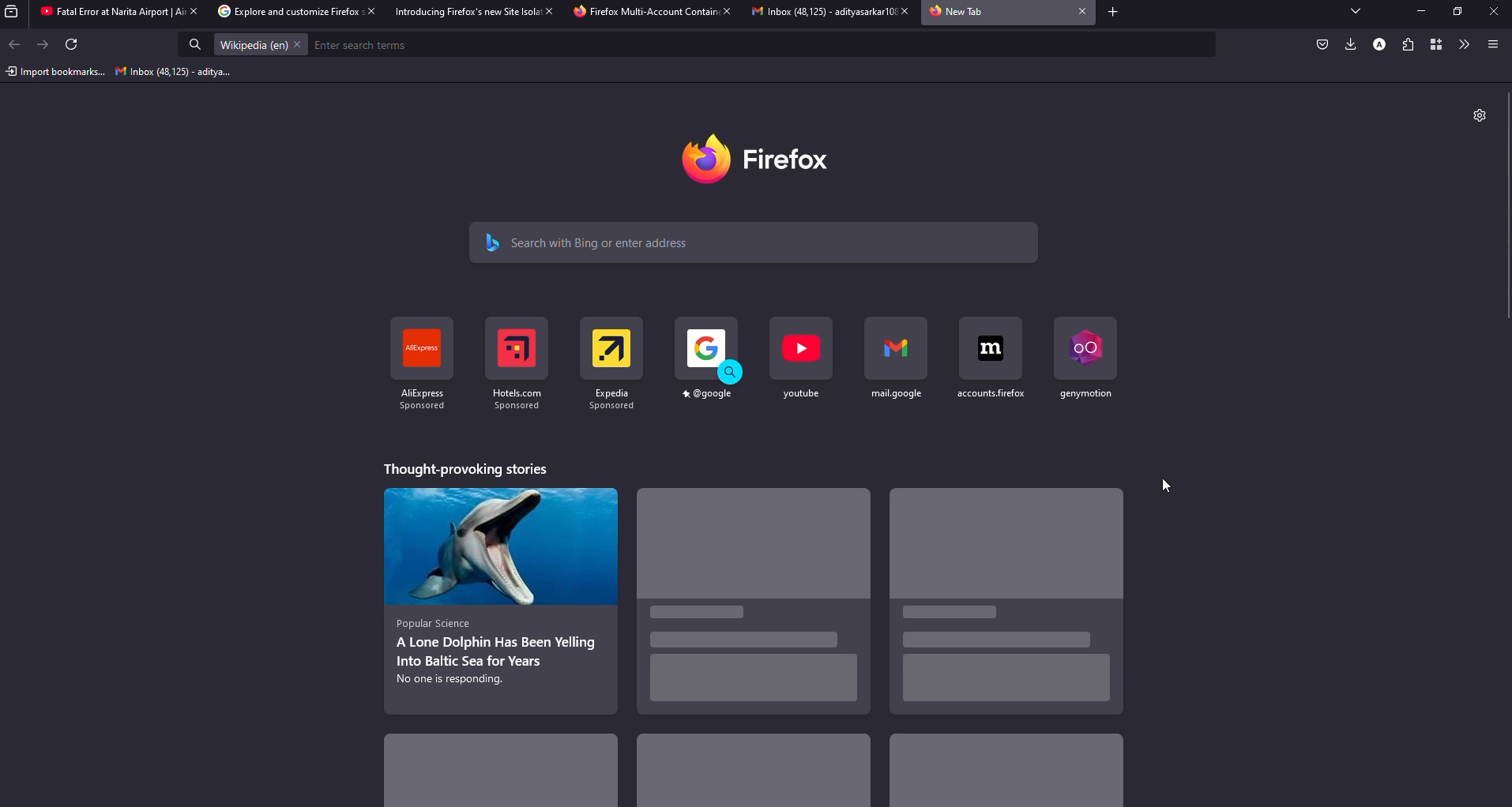 Image resolution: width=1512 pixels, height=807 pixels. What do you see at coordinates (17, 44) in the screenshot?
I see `back` at bounding box center [17, 44].